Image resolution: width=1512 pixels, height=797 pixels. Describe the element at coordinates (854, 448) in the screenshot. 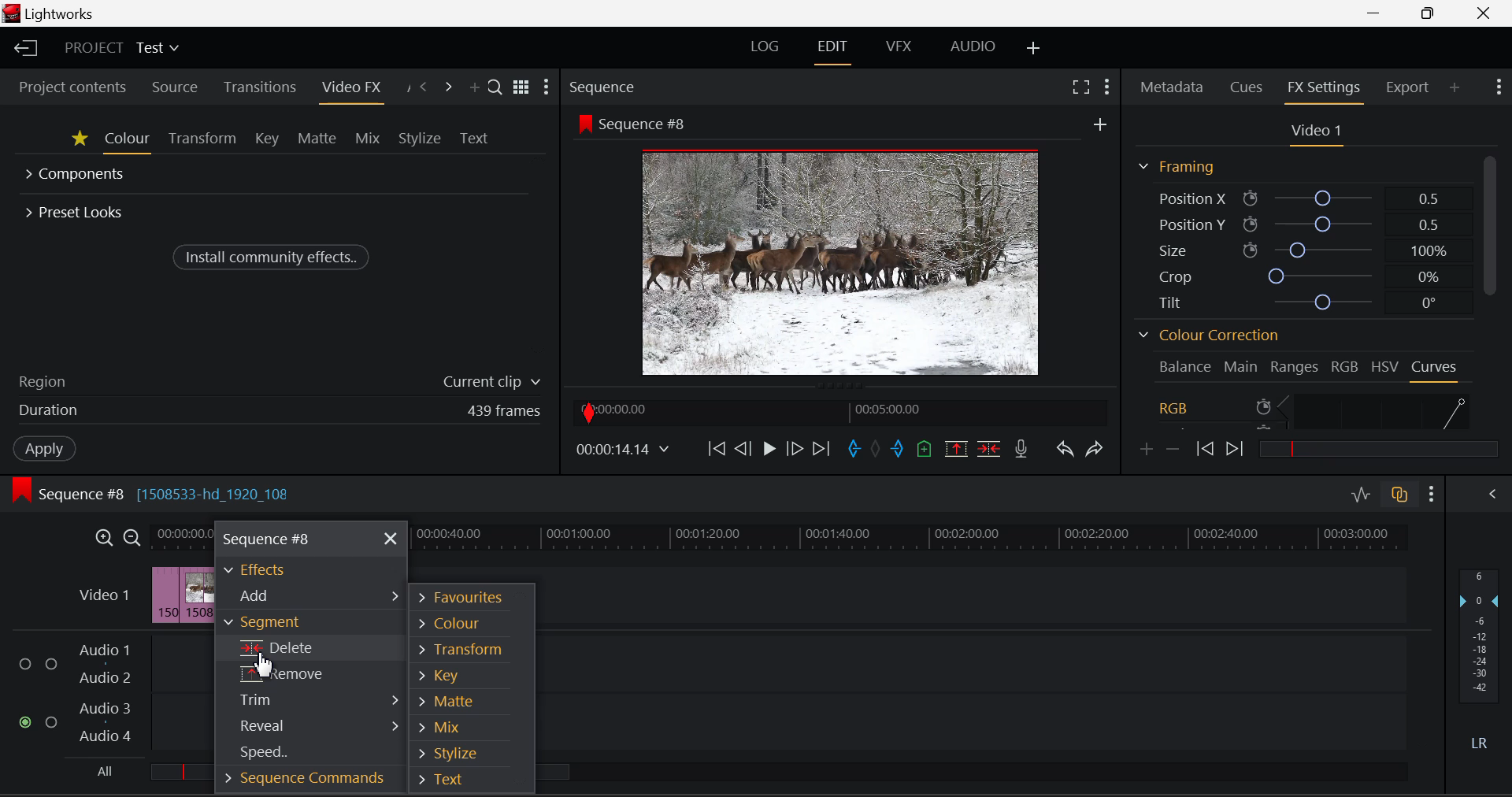

I see `Mark In` at that location.